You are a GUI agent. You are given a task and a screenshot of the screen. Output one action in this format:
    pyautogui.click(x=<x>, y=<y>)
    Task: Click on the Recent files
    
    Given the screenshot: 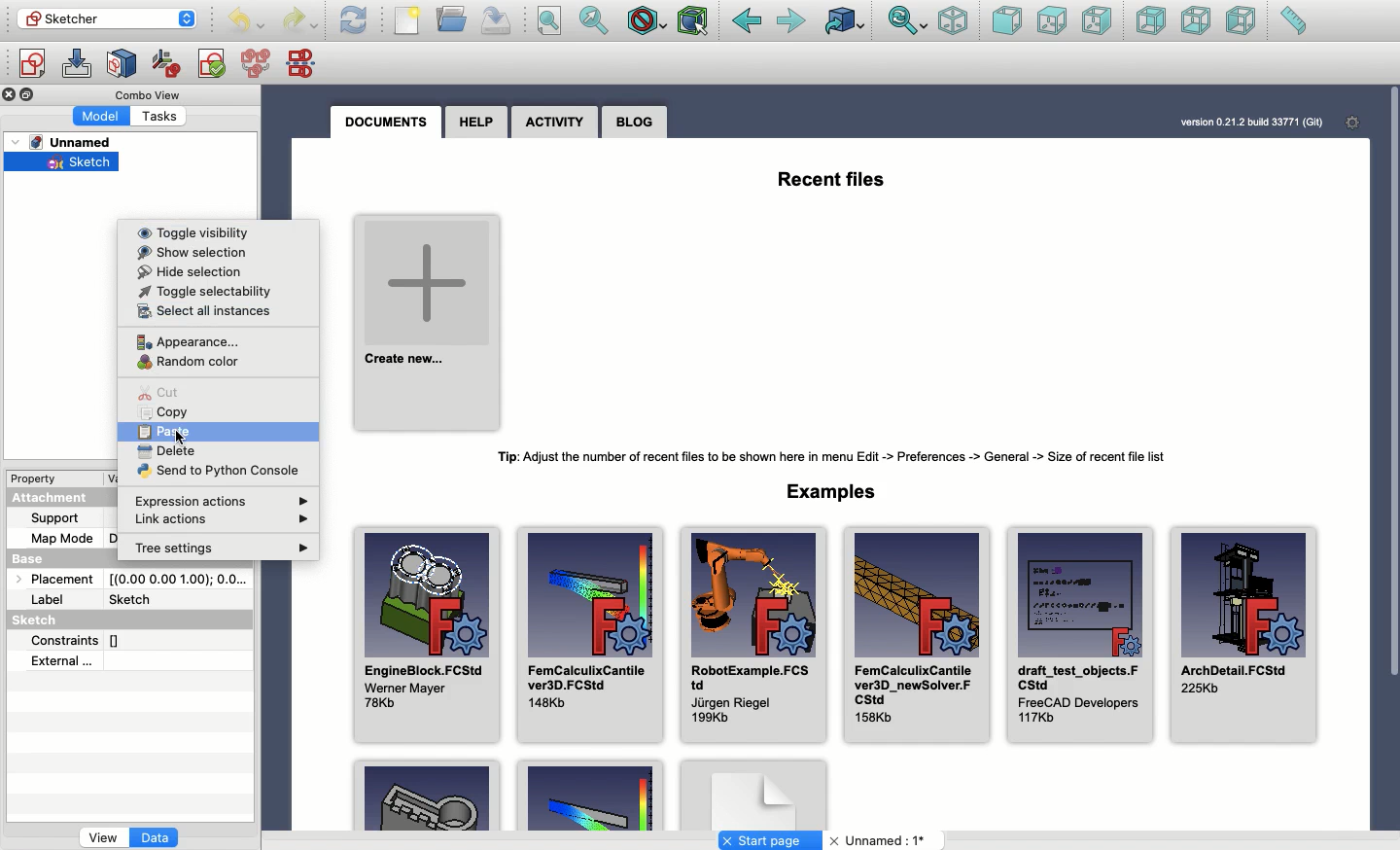 What is the action you would take?
    pyautogui.click(x=833, y=177)
    